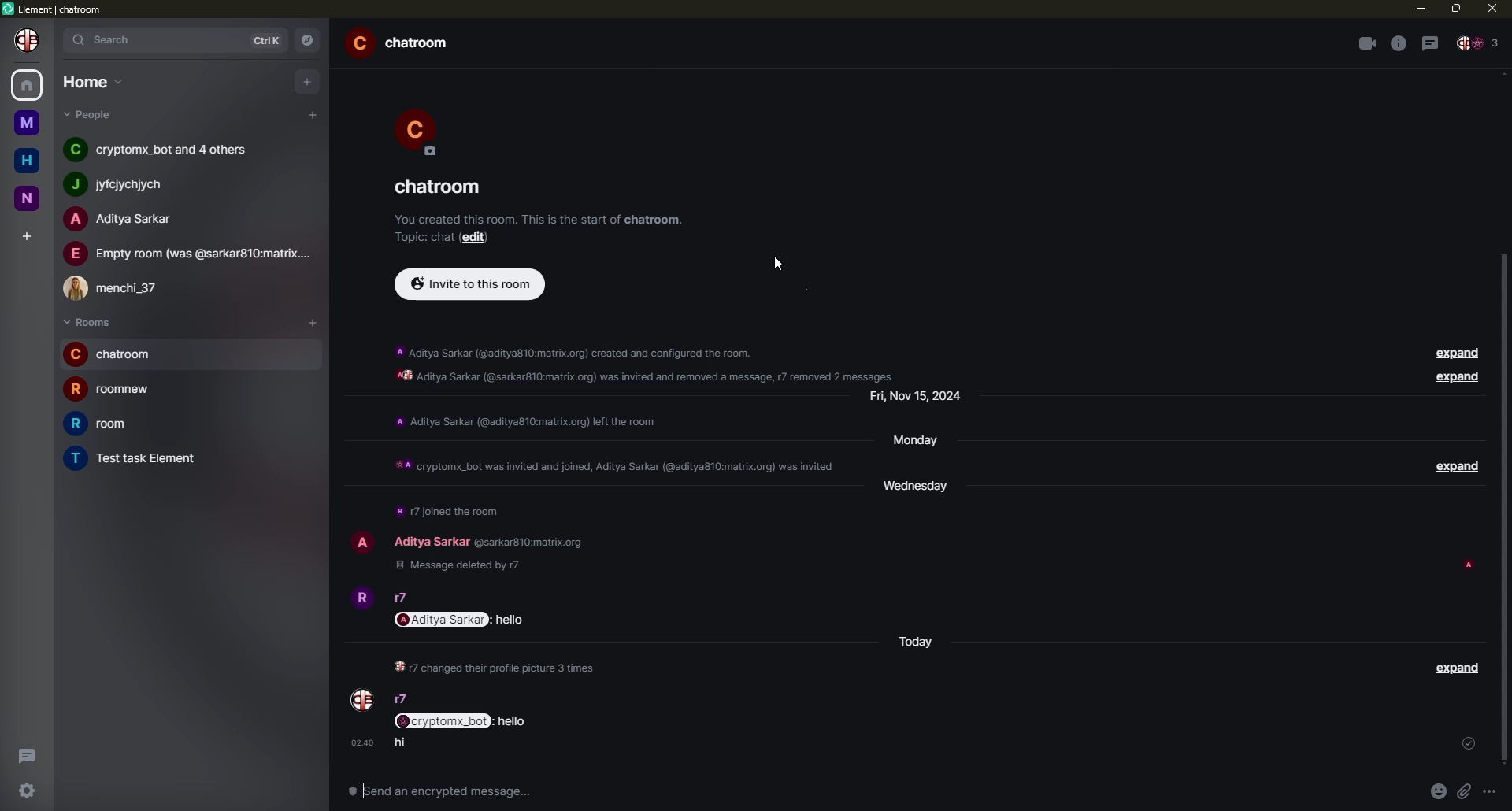 This screenshot has width=1512, height=811. Describe the element at coordinates (1430, 42) in the screenshot. I see `threads` at that location.